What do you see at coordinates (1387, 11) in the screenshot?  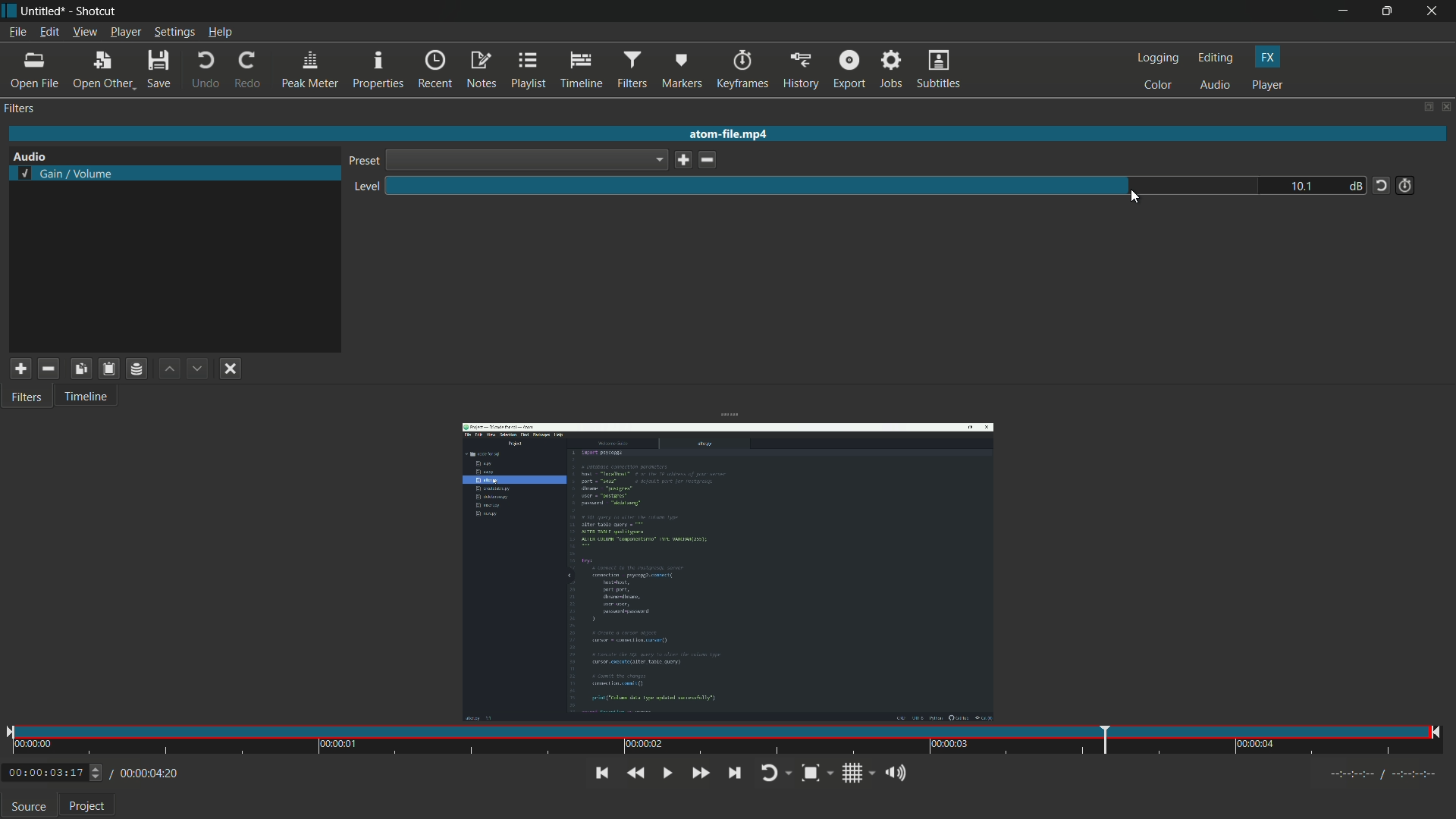 I see `maximize` at bounding box center [1387, 11].